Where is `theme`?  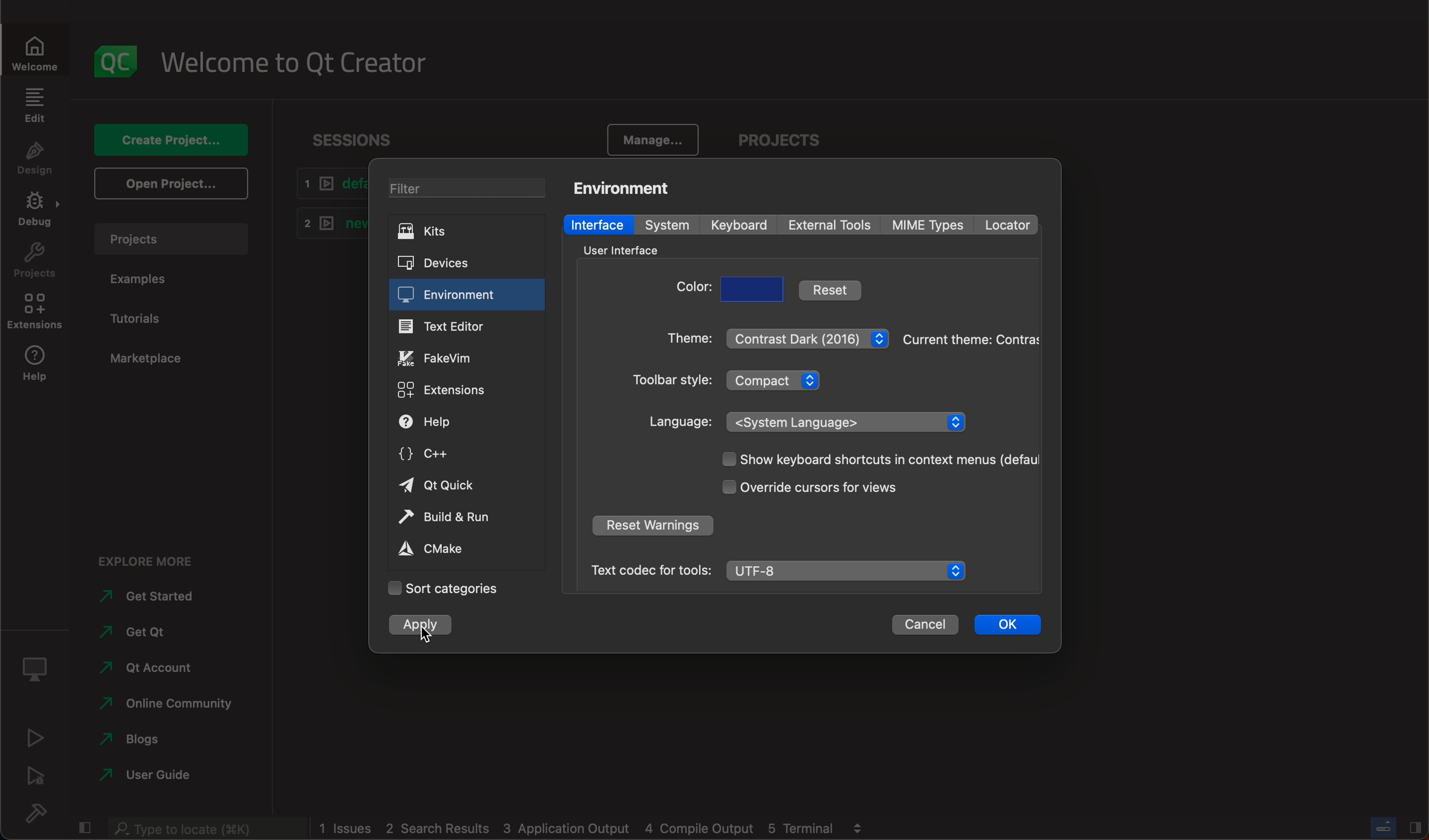
theme is located at coordinates (684, 341).